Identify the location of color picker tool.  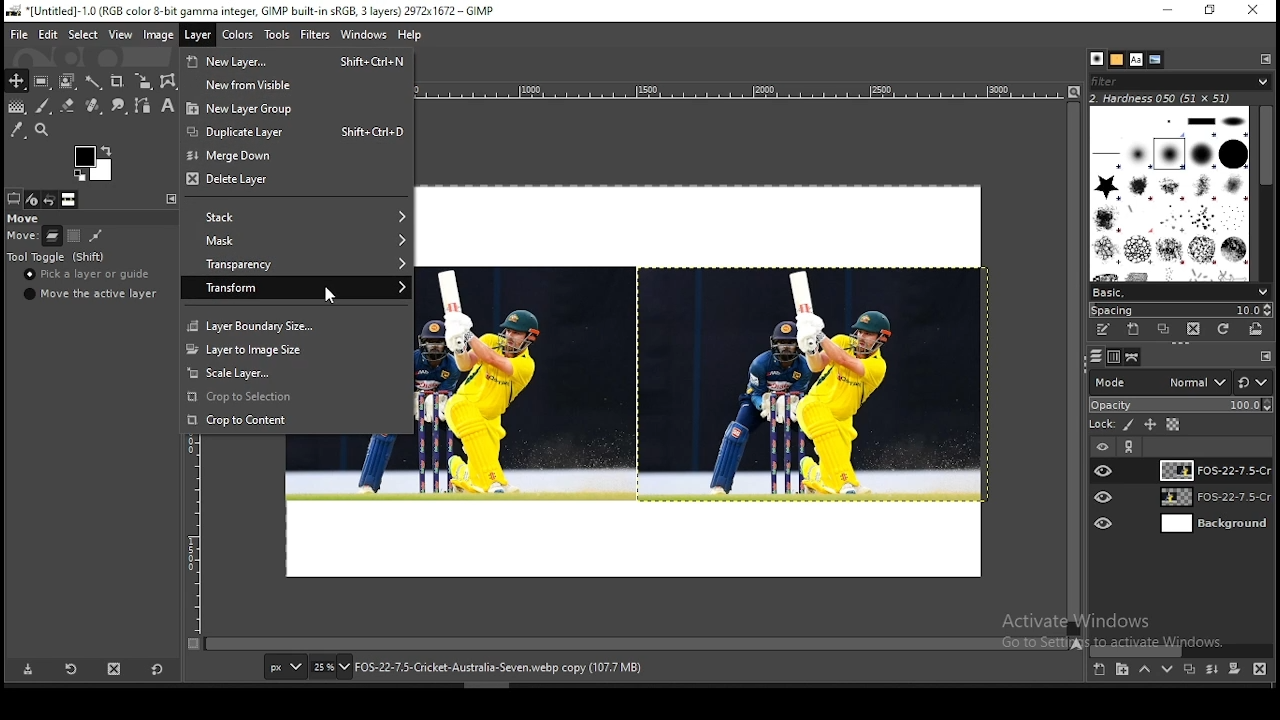
(17, 129).